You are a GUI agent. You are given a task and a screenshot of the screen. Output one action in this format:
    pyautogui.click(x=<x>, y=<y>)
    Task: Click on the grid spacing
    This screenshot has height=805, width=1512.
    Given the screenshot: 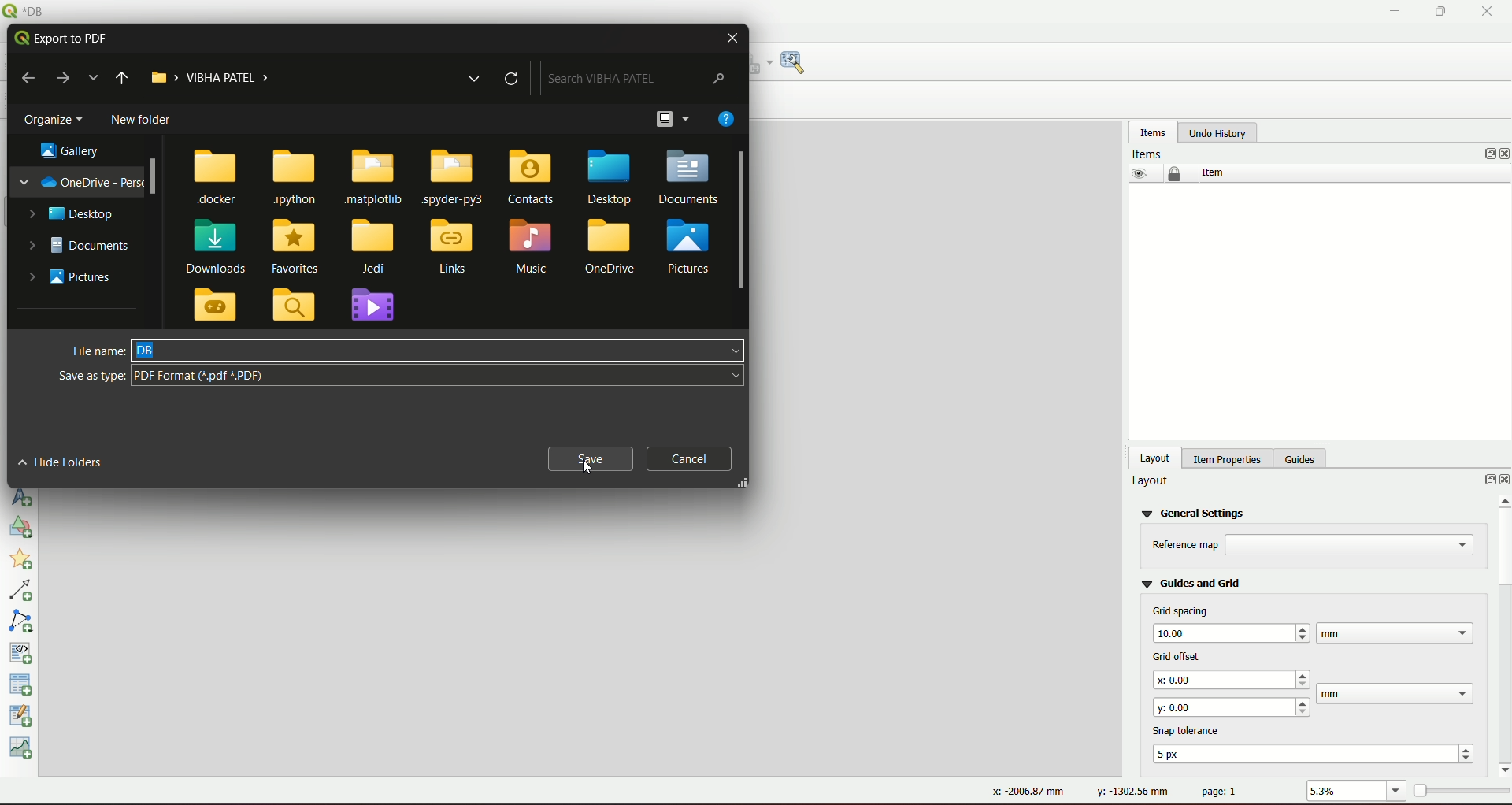 What is the action you would take?
    pyautogui.click(x=1181, y=610)
    